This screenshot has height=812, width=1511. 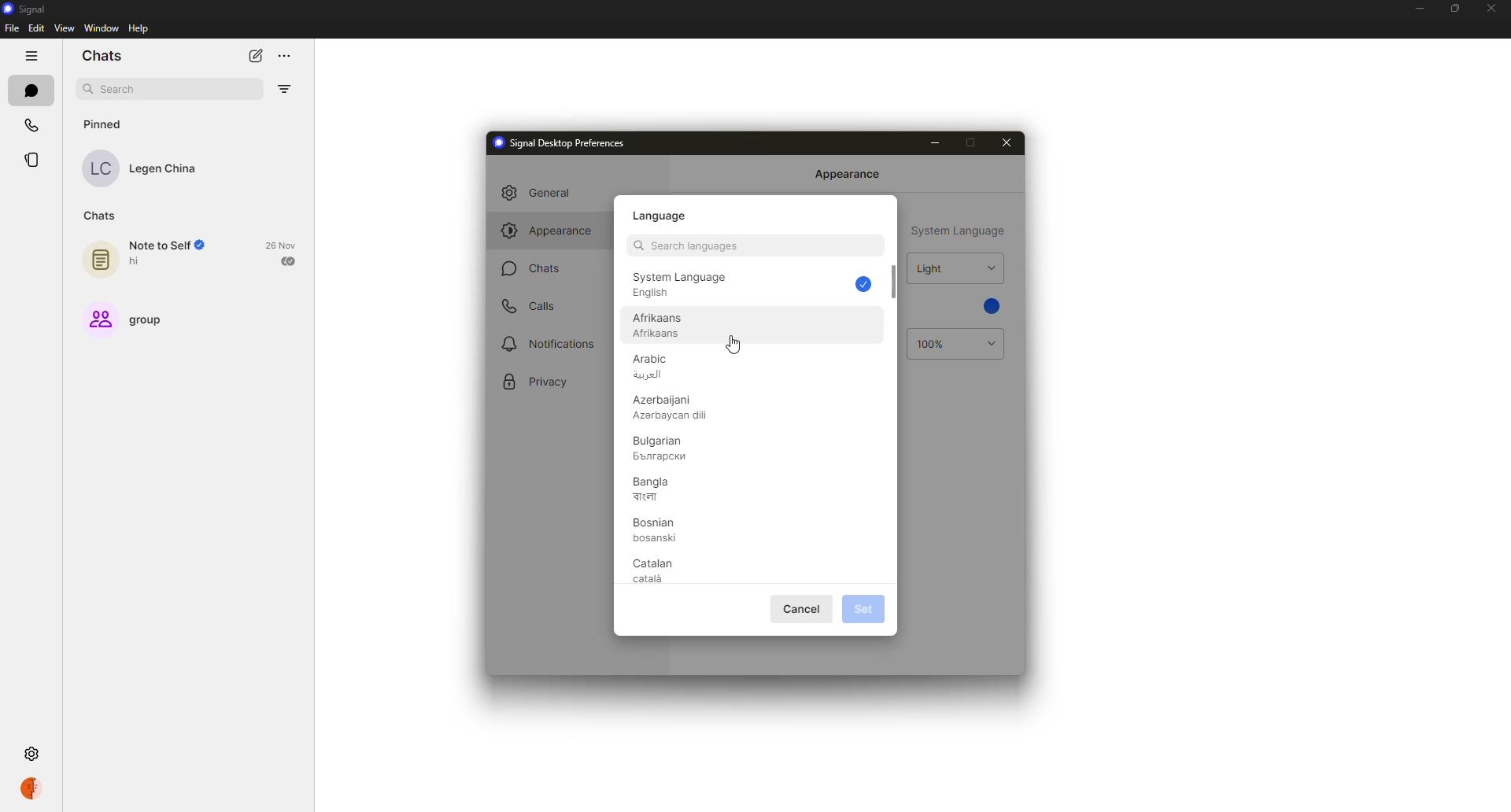 I want to click on sent, so click(x=289, y=261).